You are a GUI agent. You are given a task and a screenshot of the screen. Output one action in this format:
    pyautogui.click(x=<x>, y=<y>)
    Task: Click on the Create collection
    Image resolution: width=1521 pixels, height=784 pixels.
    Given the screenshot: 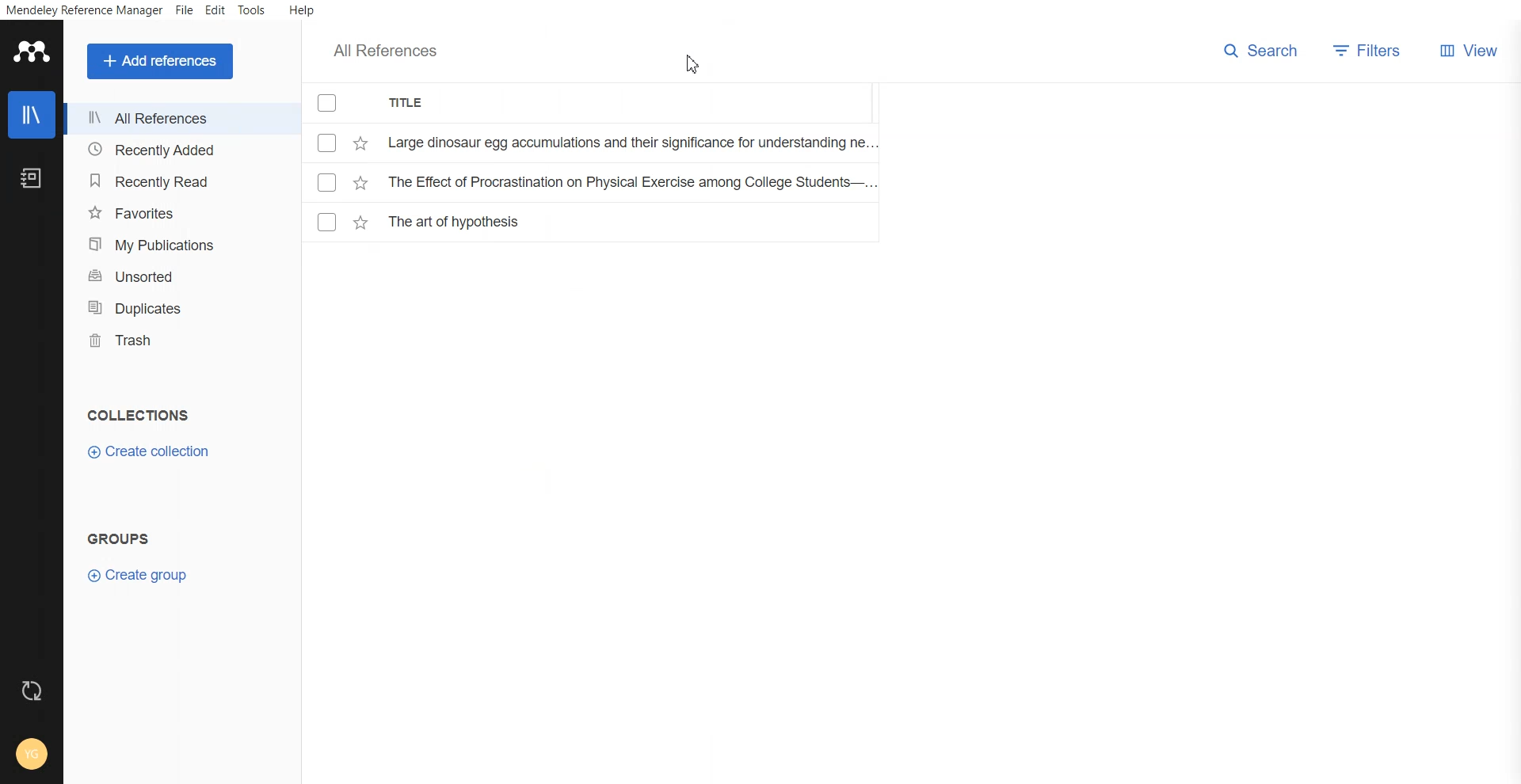 What is the action you would take?
    pyautogui.click(x=149, y=453)
    